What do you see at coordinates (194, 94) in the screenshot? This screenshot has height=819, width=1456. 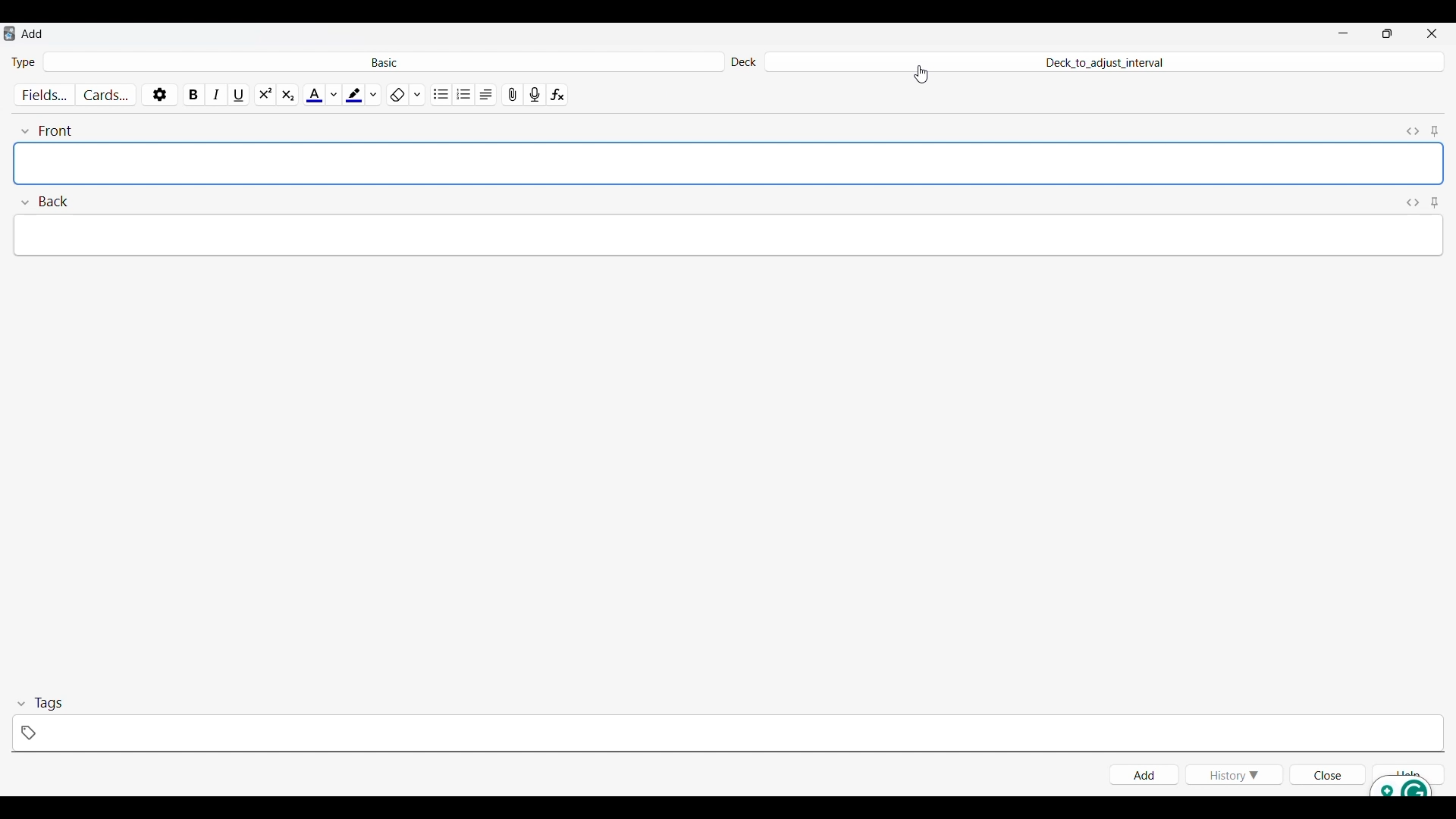 I see `Bold` at bounding box center [194, 94].